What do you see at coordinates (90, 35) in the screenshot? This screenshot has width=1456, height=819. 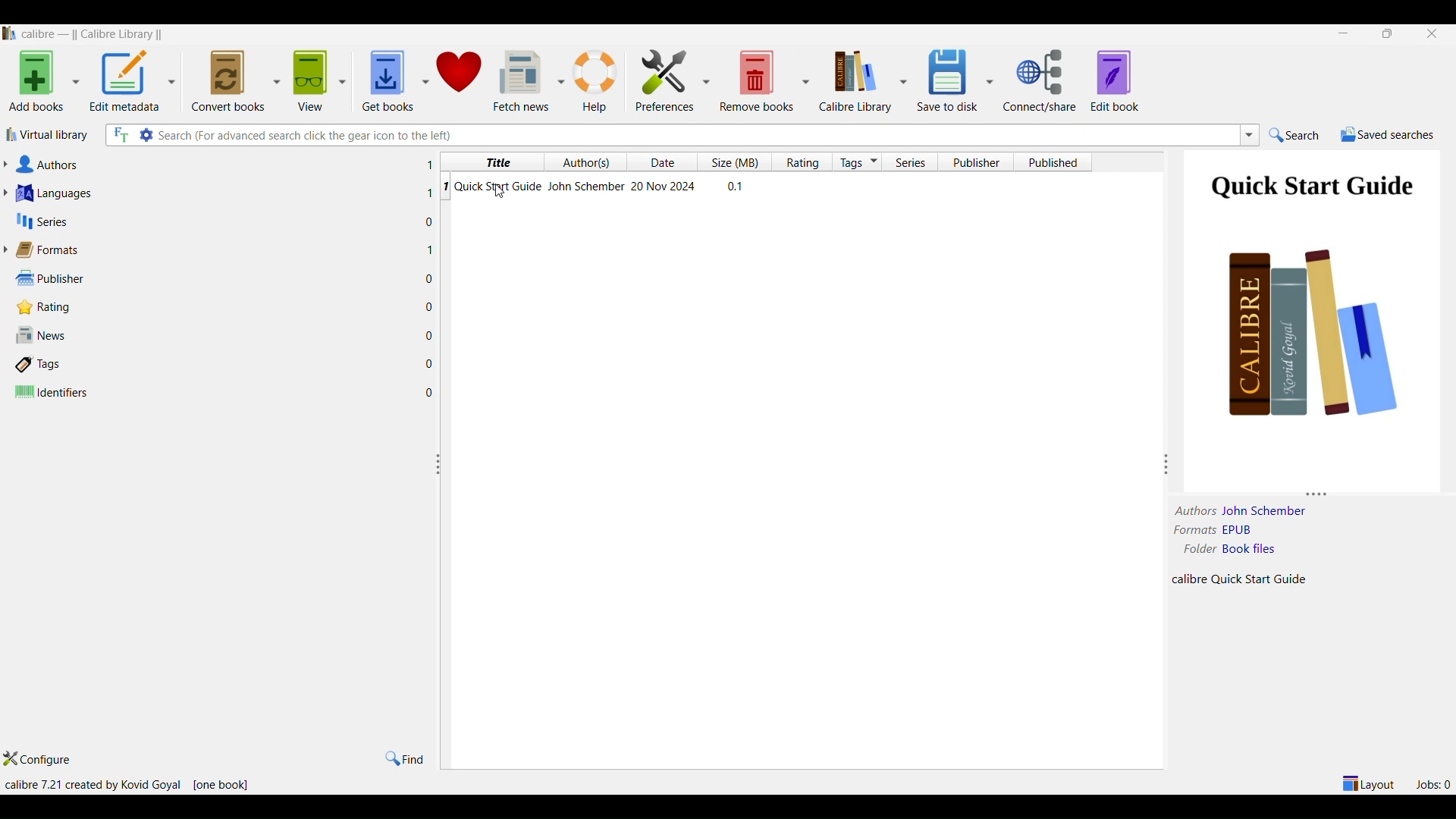 I see `Callibre library` at bounding box center [90, 35].